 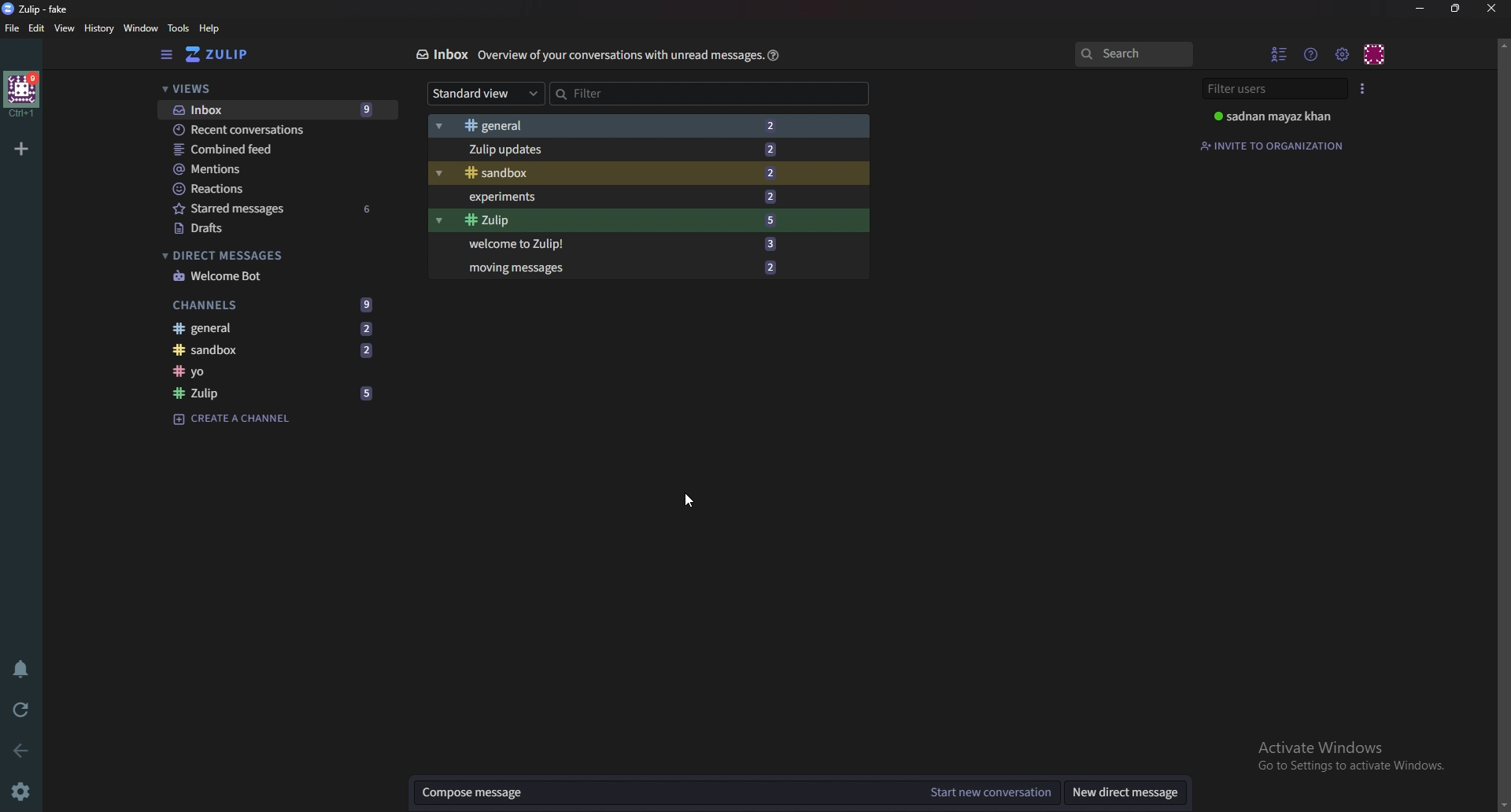 I want to click on Channel, so click(x=275, y=371).